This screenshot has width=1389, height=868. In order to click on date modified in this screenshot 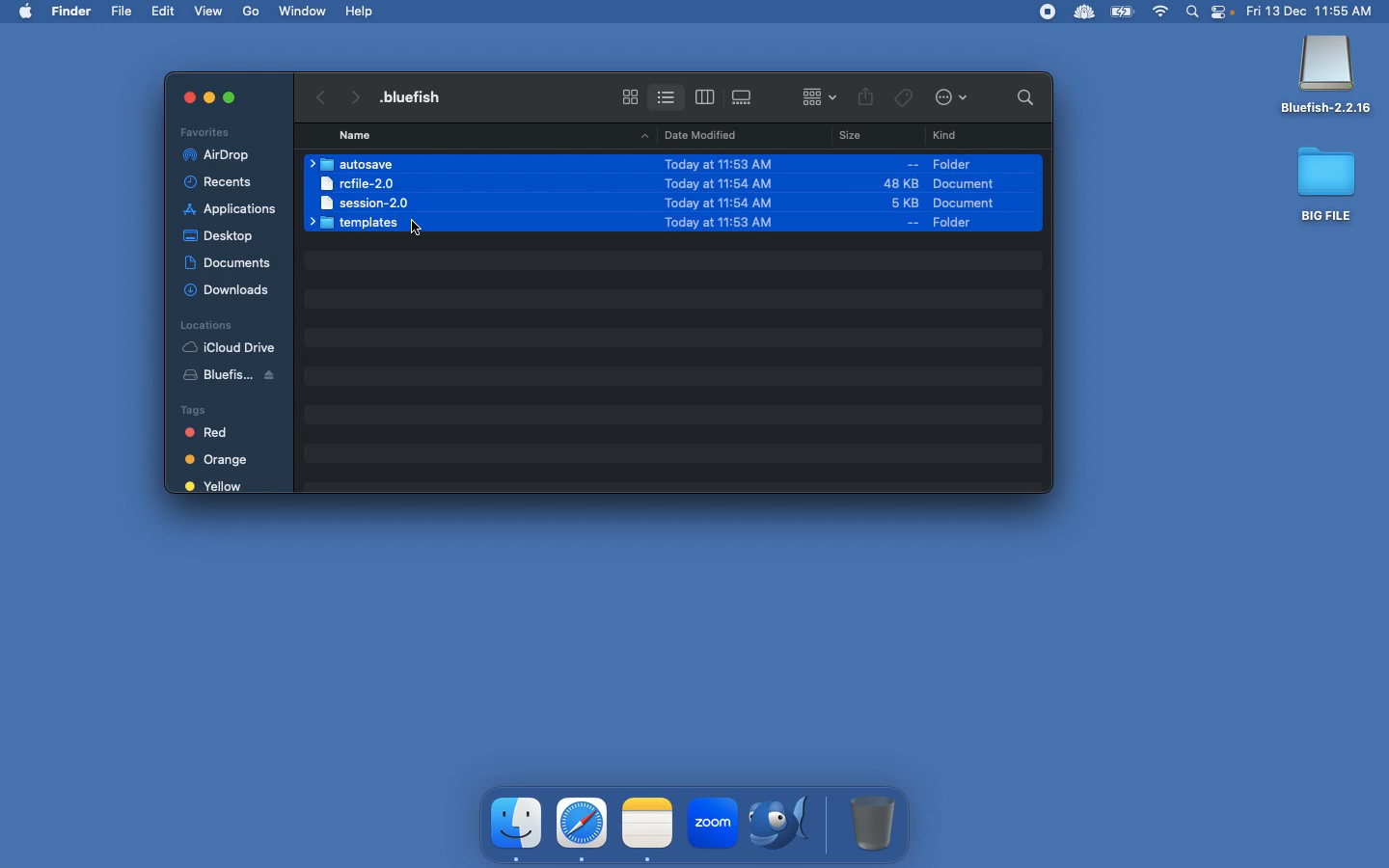, I will do `click(694, 134)`.